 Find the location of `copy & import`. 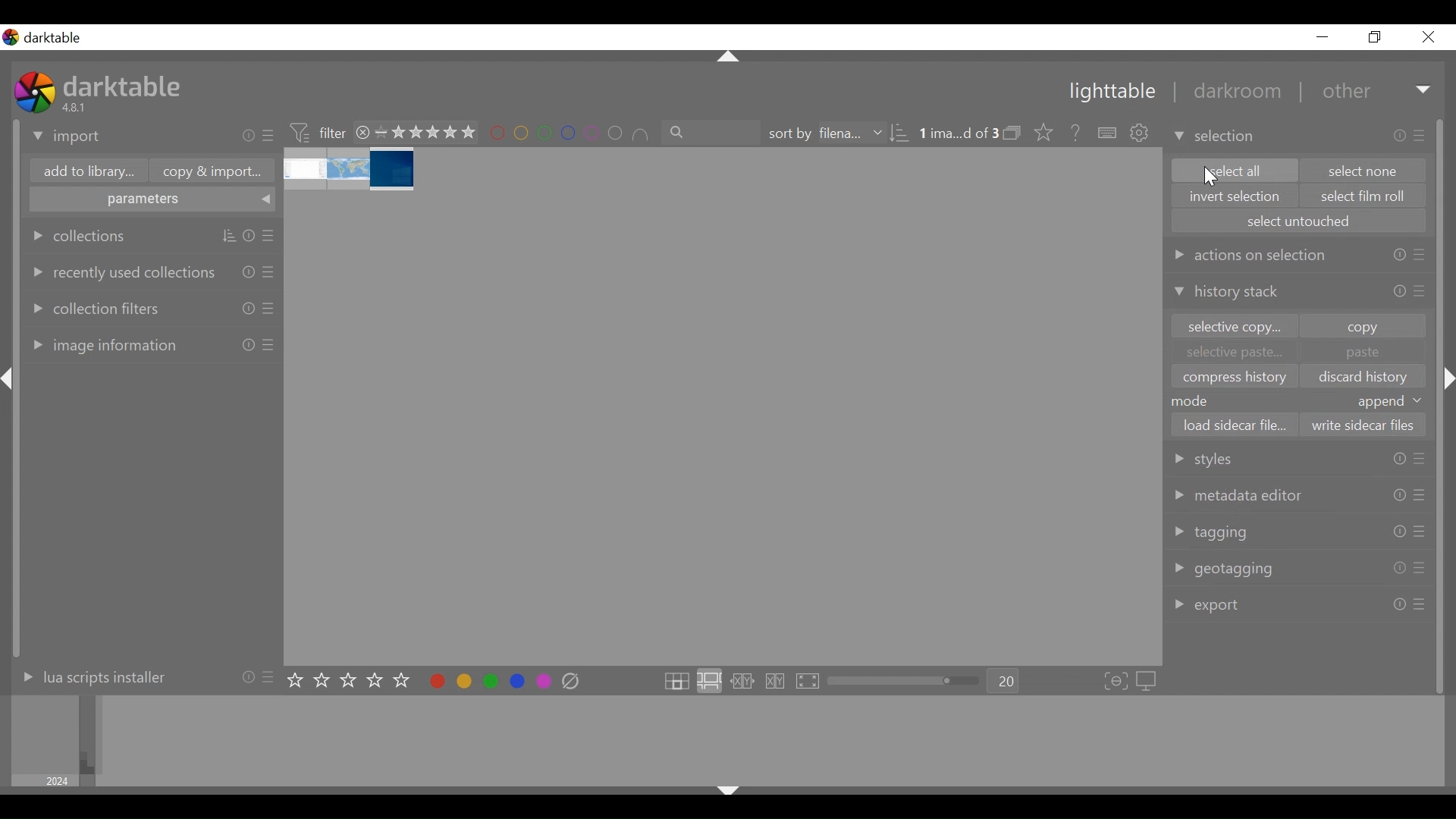

copy & import is located at coordinates (208, 171).